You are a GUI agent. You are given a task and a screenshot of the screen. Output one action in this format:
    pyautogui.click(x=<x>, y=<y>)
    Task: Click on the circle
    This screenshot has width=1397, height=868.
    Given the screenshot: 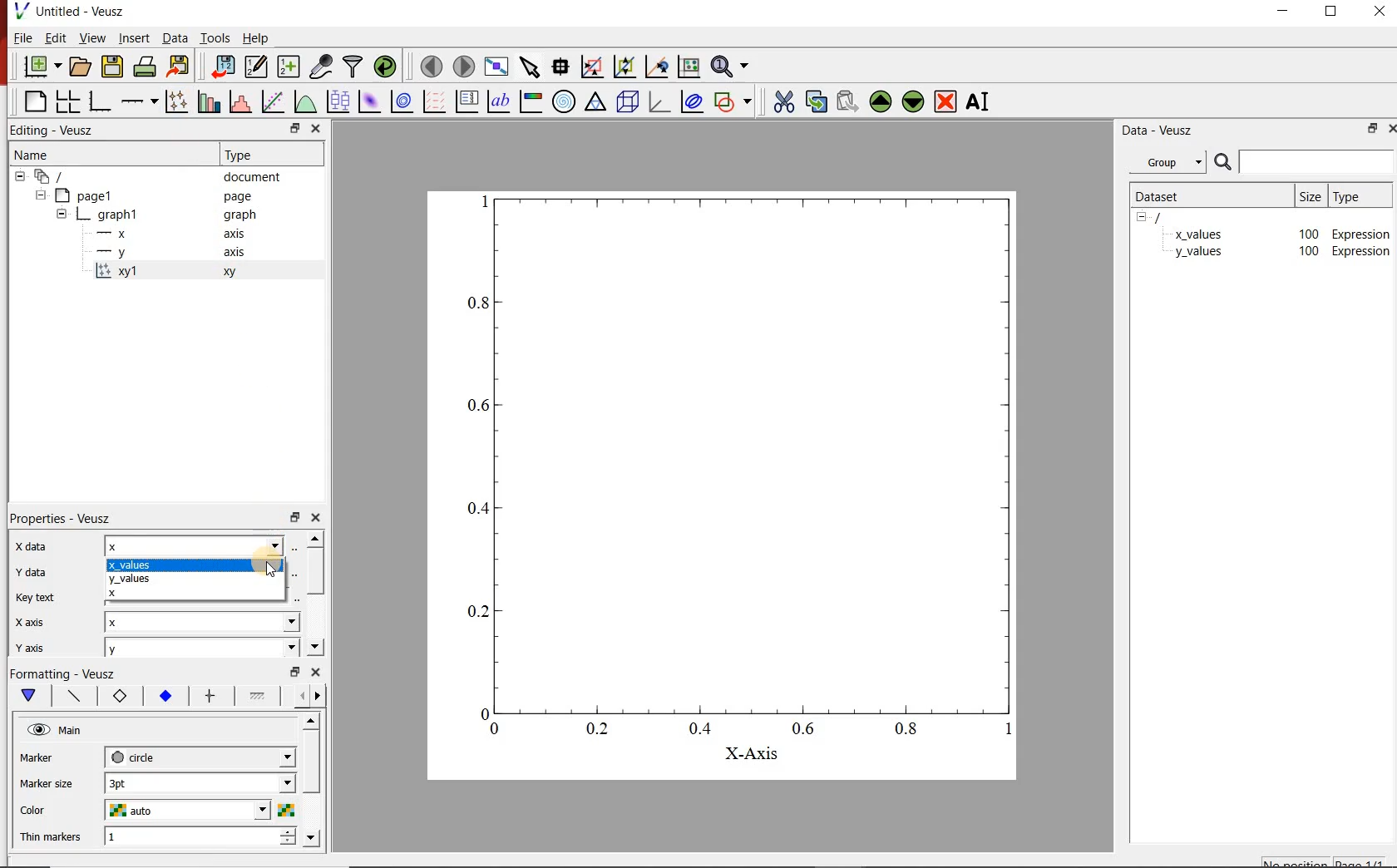 What is the action you would take?
    pyautogui.click(x=199, y=757)
    